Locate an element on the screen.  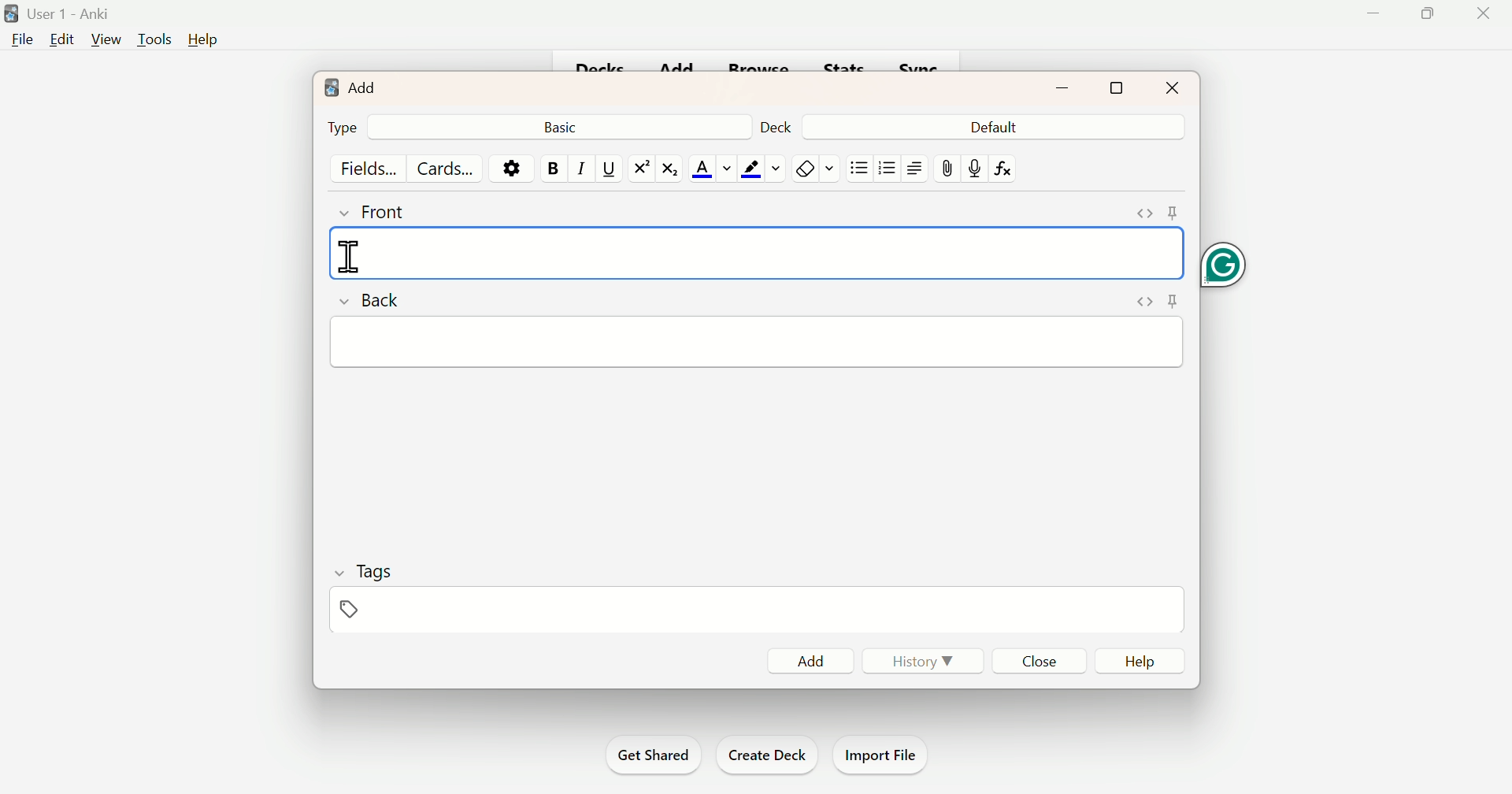
text cursor is located at coordinates (355, 258).